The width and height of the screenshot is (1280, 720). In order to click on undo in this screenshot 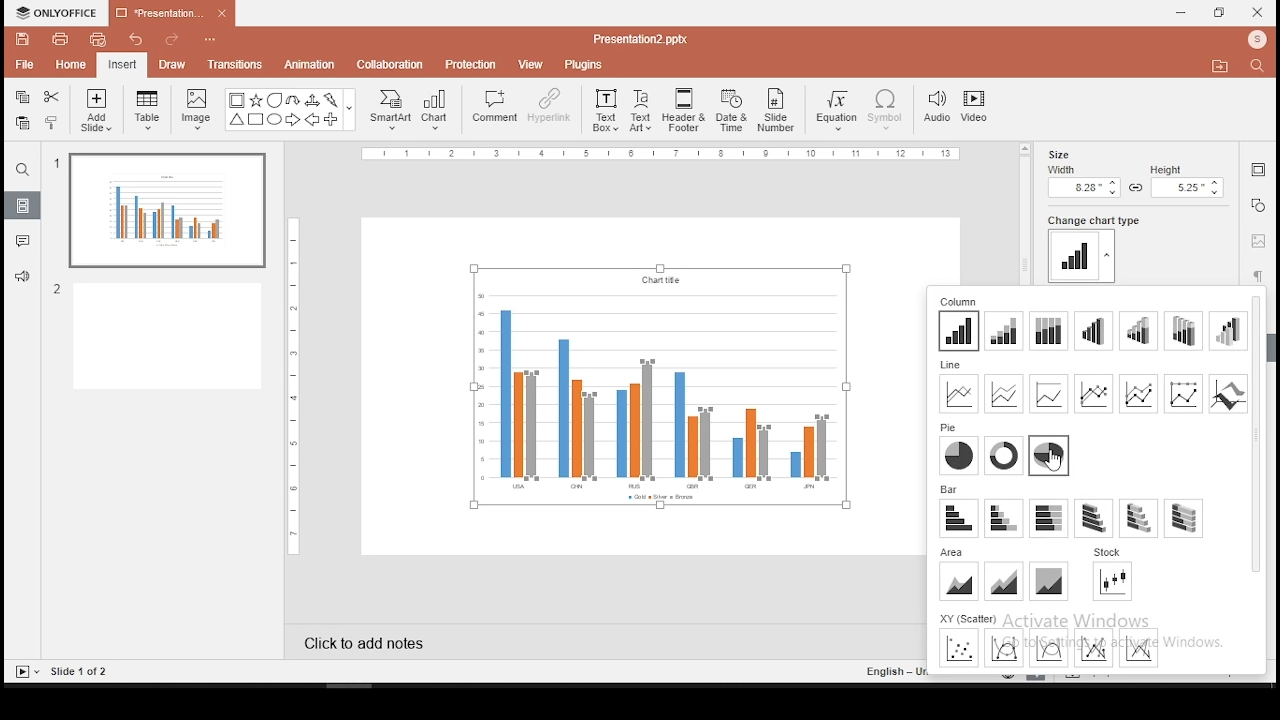, I will do `click(134, 38)`.